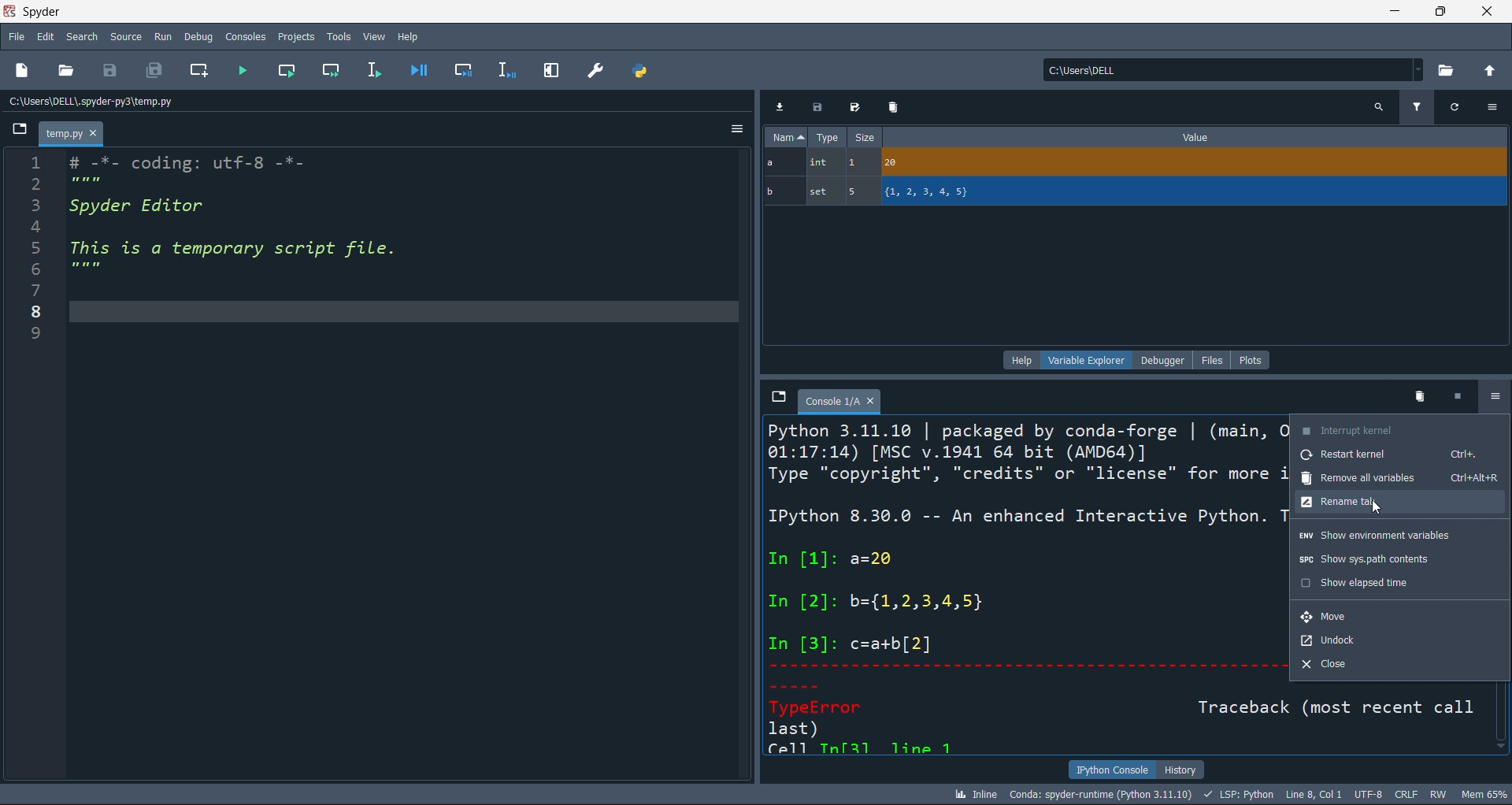 This screenshot has width=1512, height=805. I want to click on cursor, so click(1380, 510).